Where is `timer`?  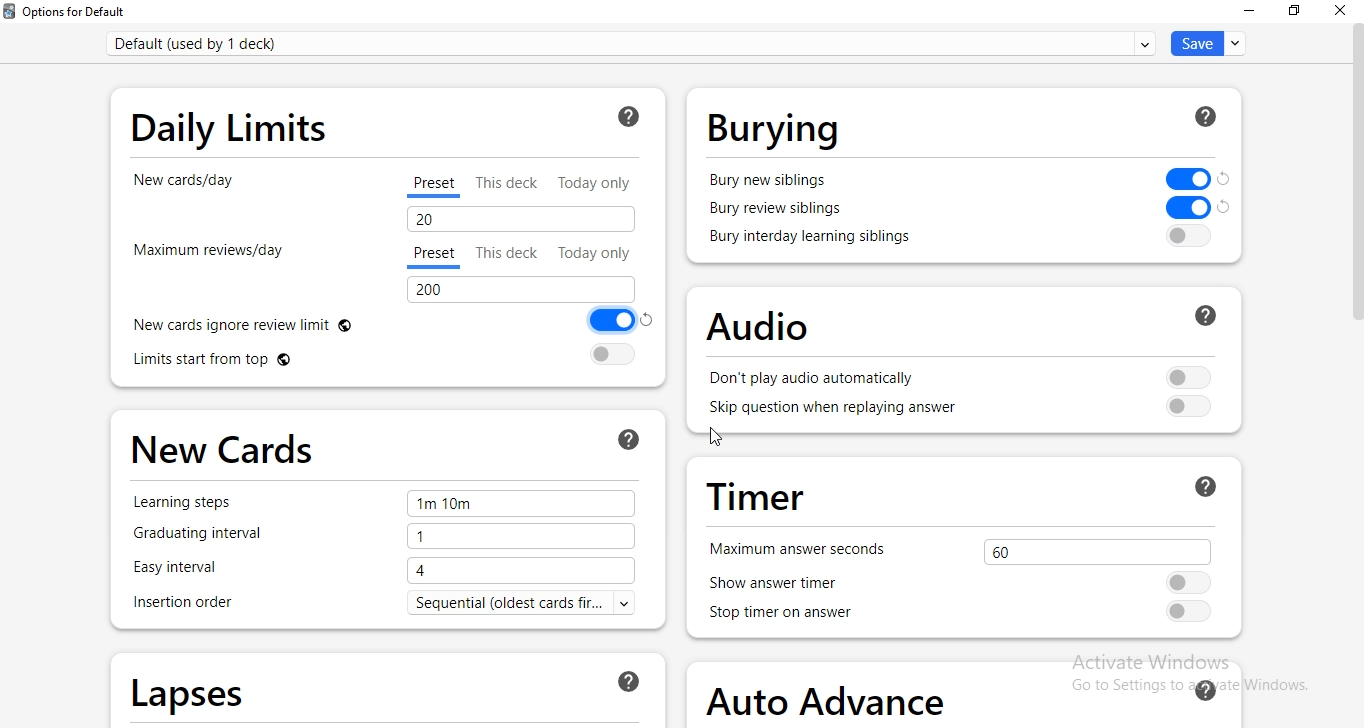
timer is located at coordinates (754, 495).